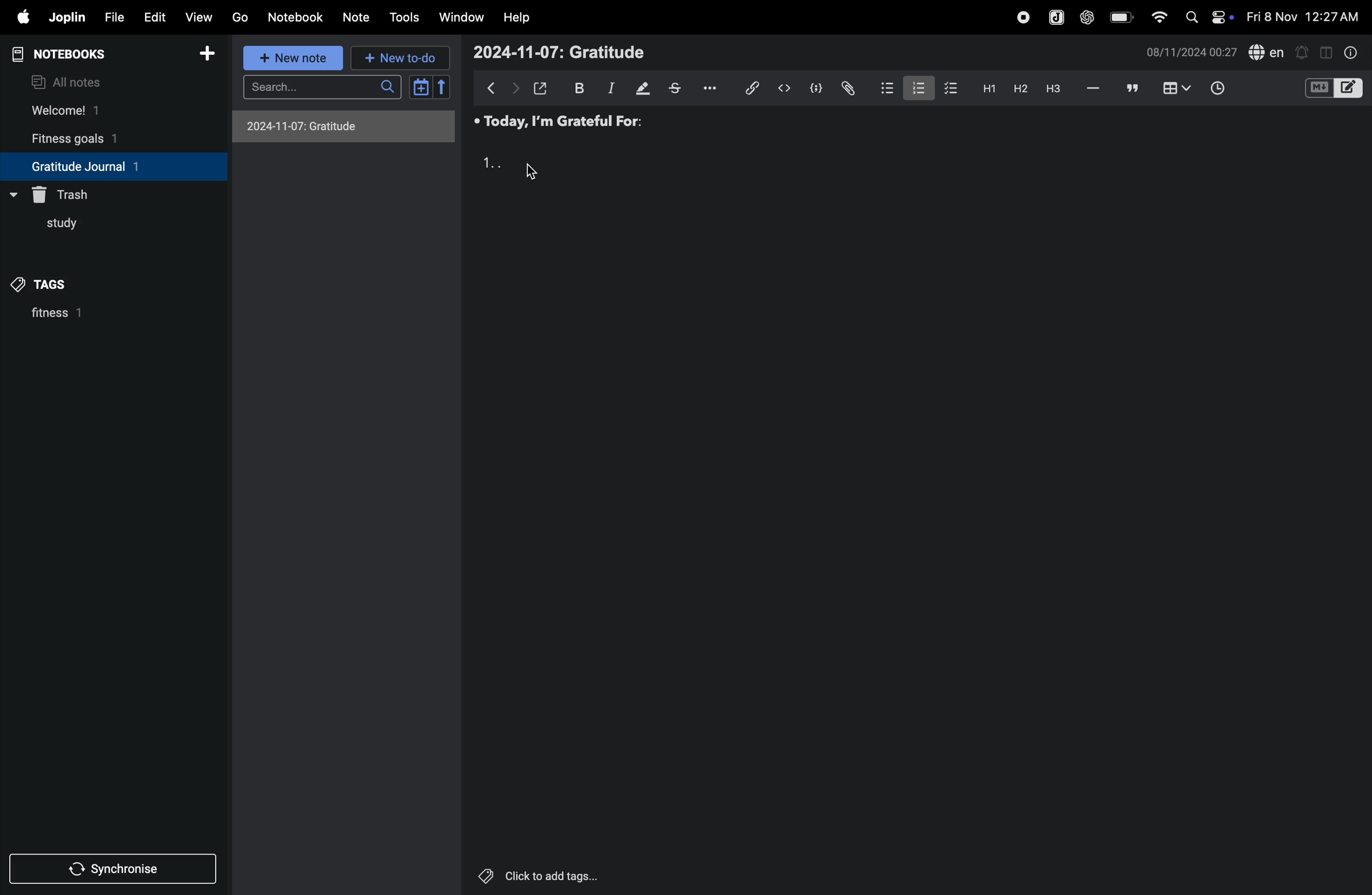 The height and width of the screenshot is (895, 1372). I want to click on tags fitness, so click(49, 284).